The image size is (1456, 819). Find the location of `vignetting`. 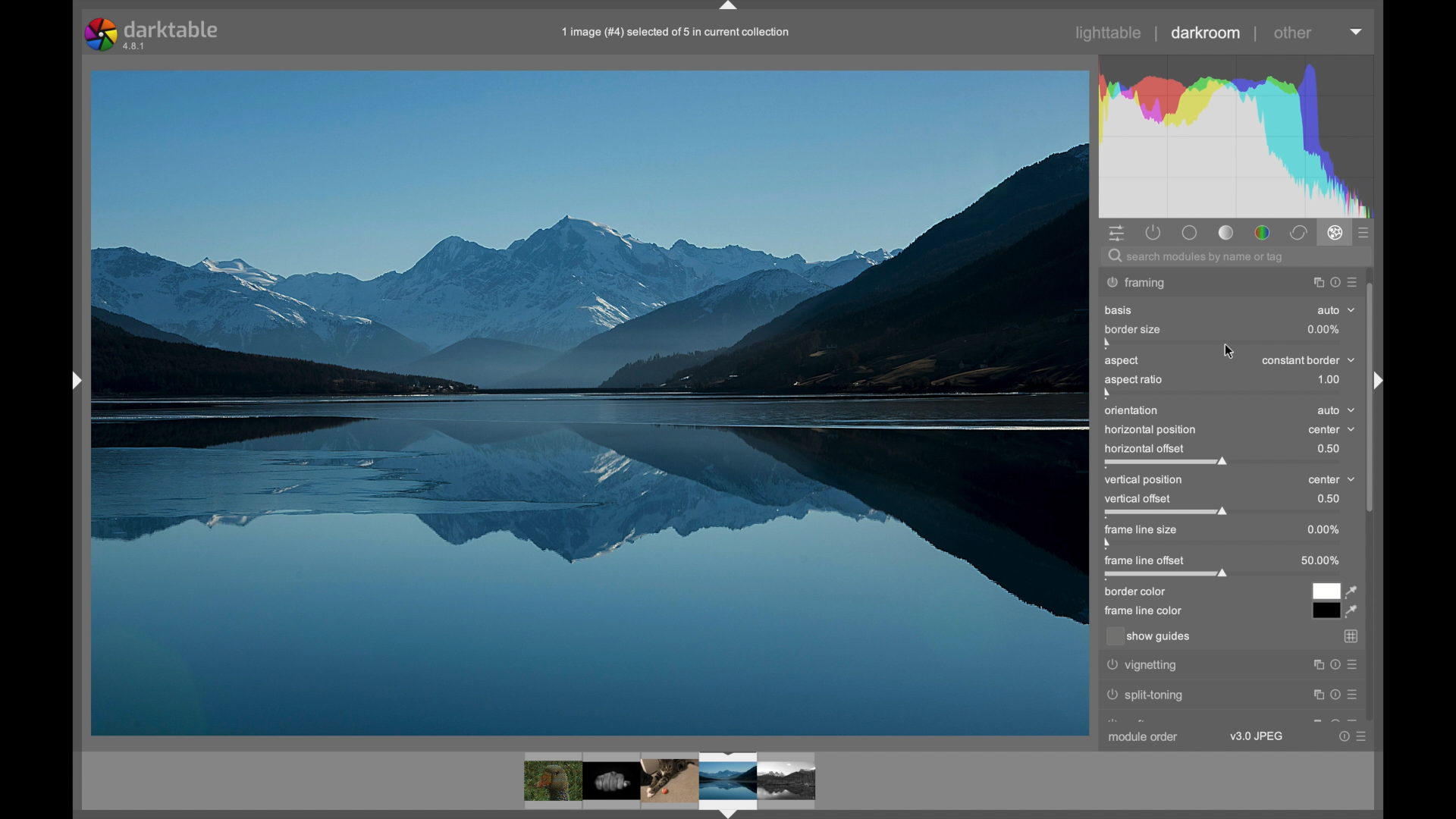

vignetting is located at coordinates (1141, 667).